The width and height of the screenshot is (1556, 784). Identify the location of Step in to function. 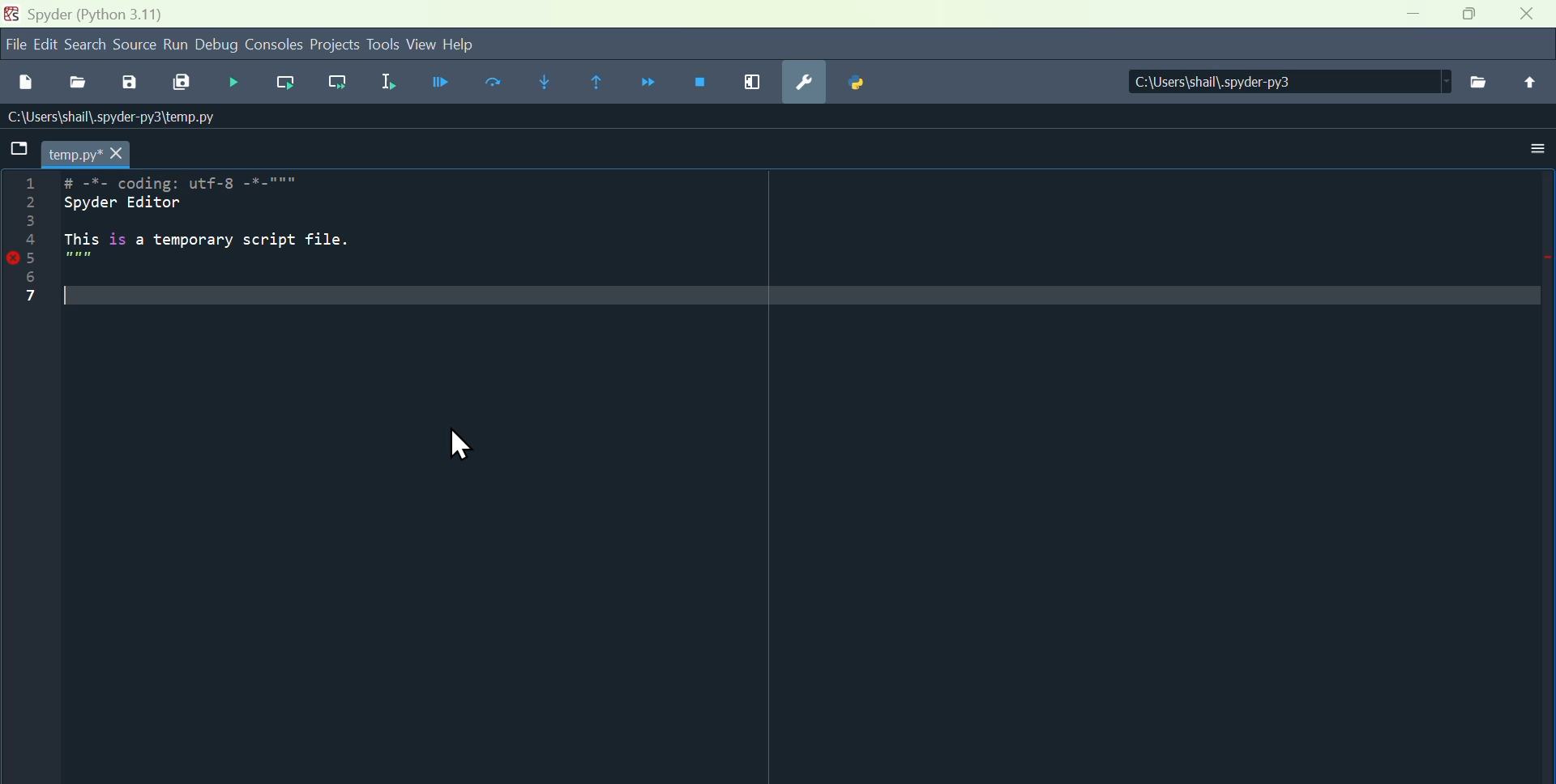
(541, 83).